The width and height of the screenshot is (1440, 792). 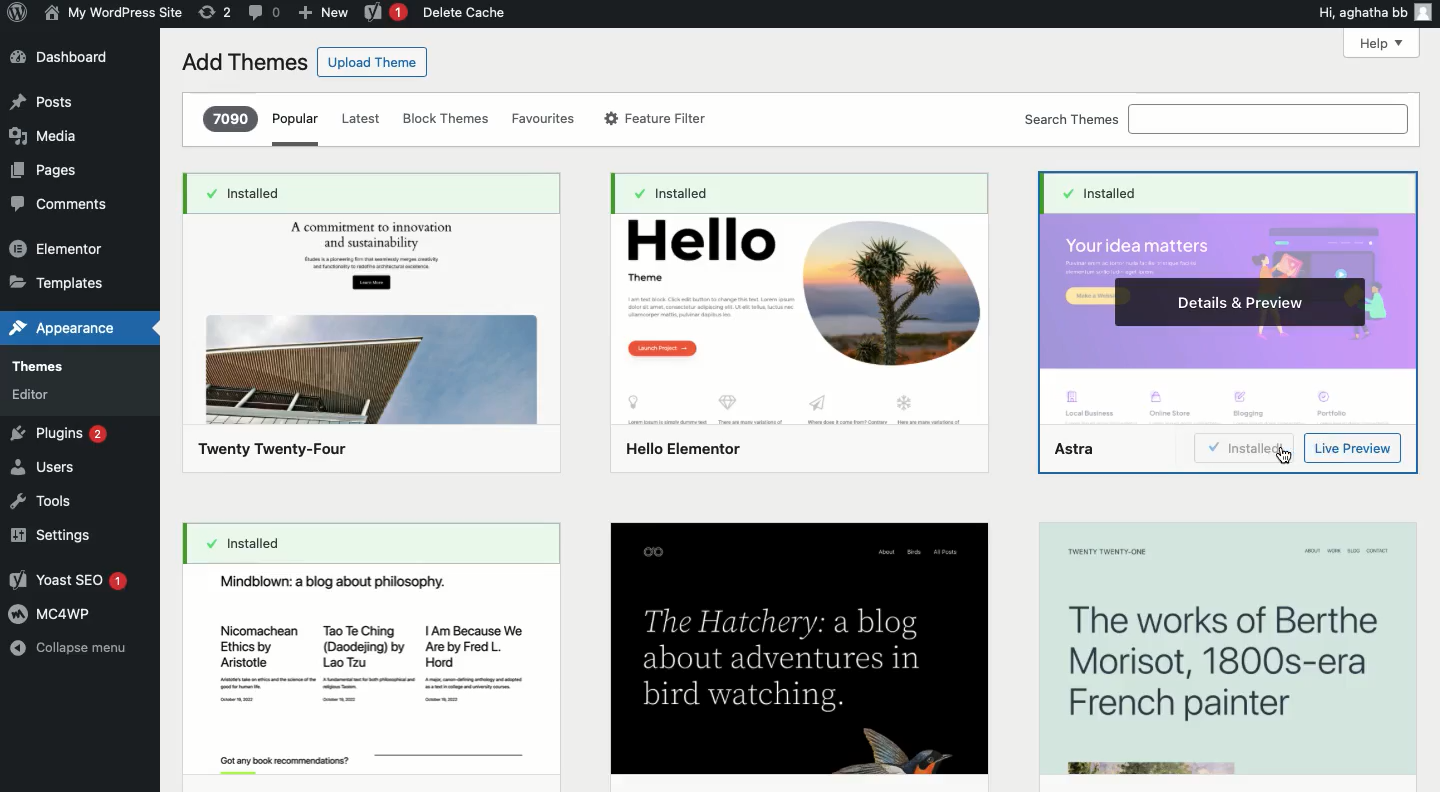 I want to click on The Hatchery: a blogabout adventures inbird watching., so click(x=799, y=649).